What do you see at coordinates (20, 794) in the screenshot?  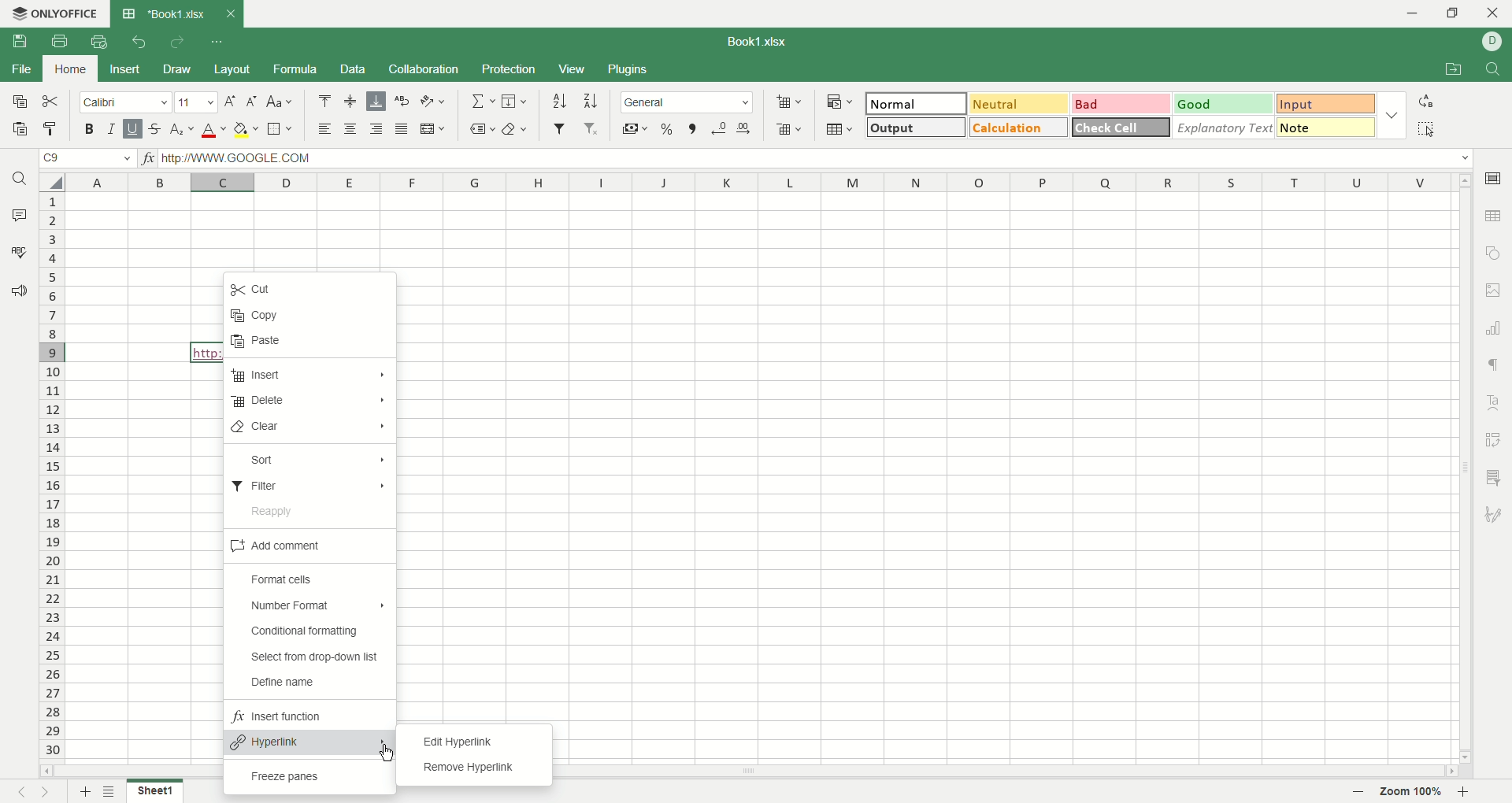 I see `previous` at bounding box center [20, 794].